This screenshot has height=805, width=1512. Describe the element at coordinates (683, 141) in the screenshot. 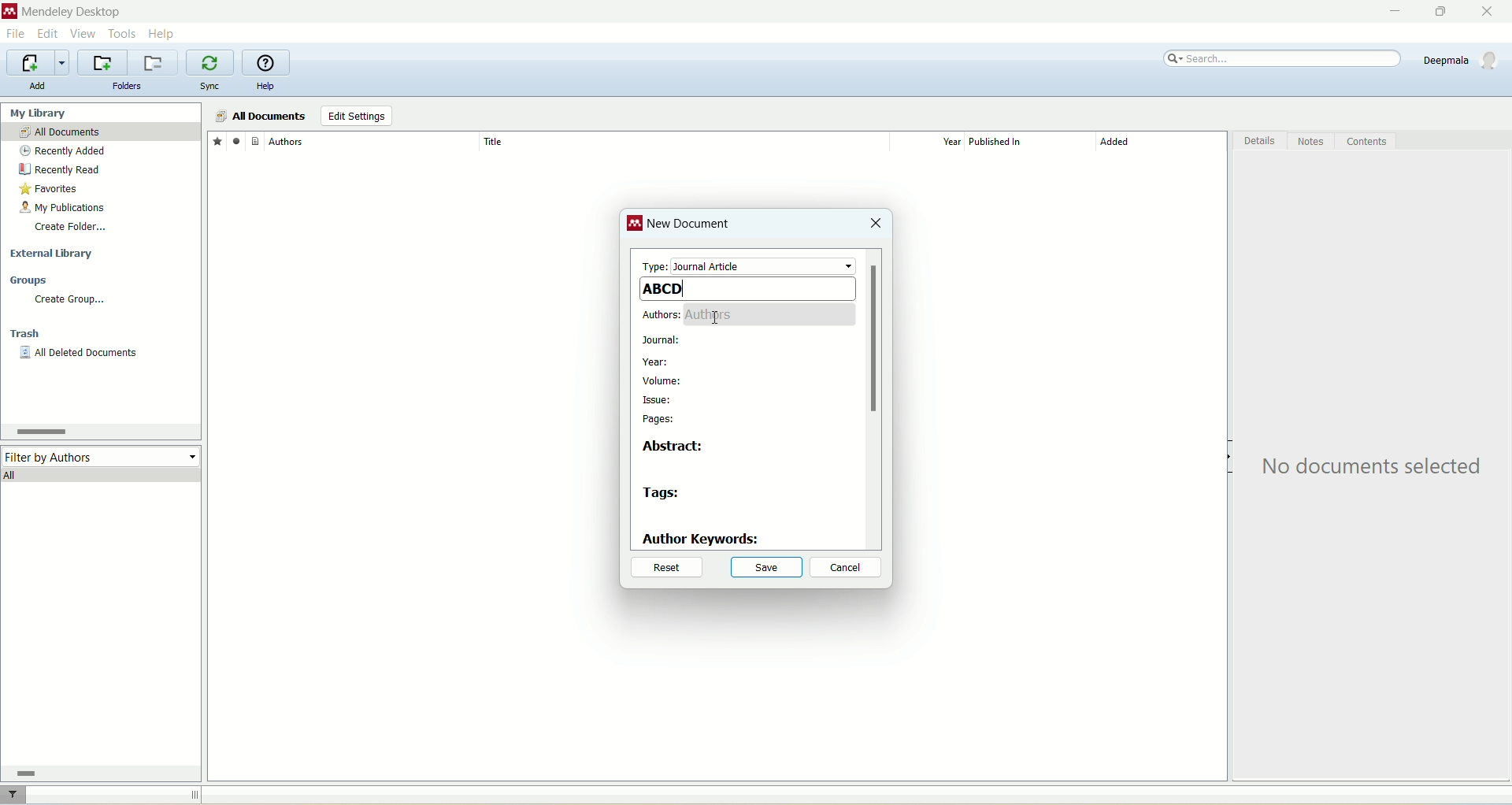

I see `title` at that location.